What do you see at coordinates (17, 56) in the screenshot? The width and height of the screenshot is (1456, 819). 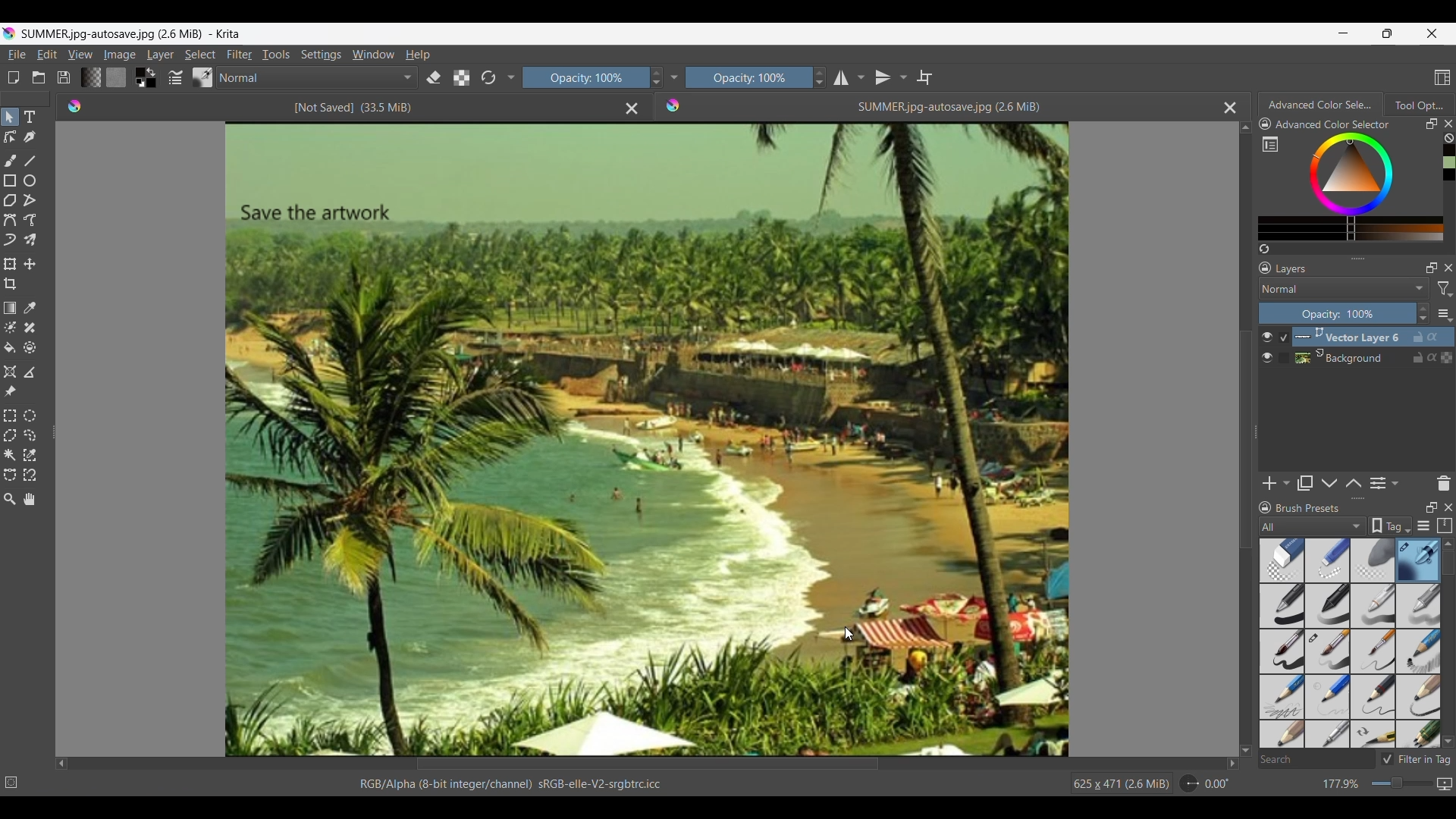 I see `Cursor on File` at bounding box center [17, 56].